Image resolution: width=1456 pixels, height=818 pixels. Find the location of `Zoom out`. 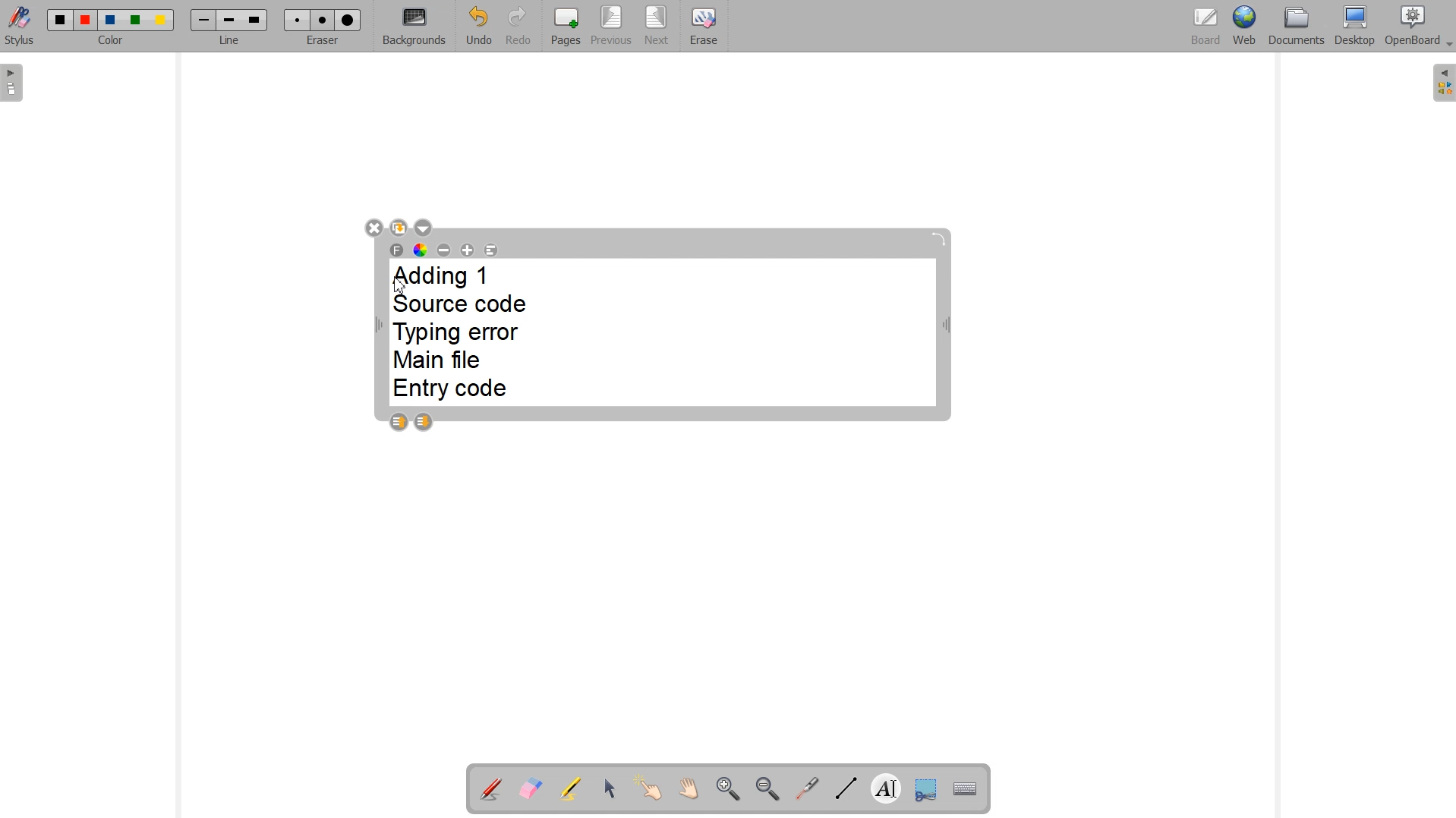

Zoom out is located at coordinates (767, 788).